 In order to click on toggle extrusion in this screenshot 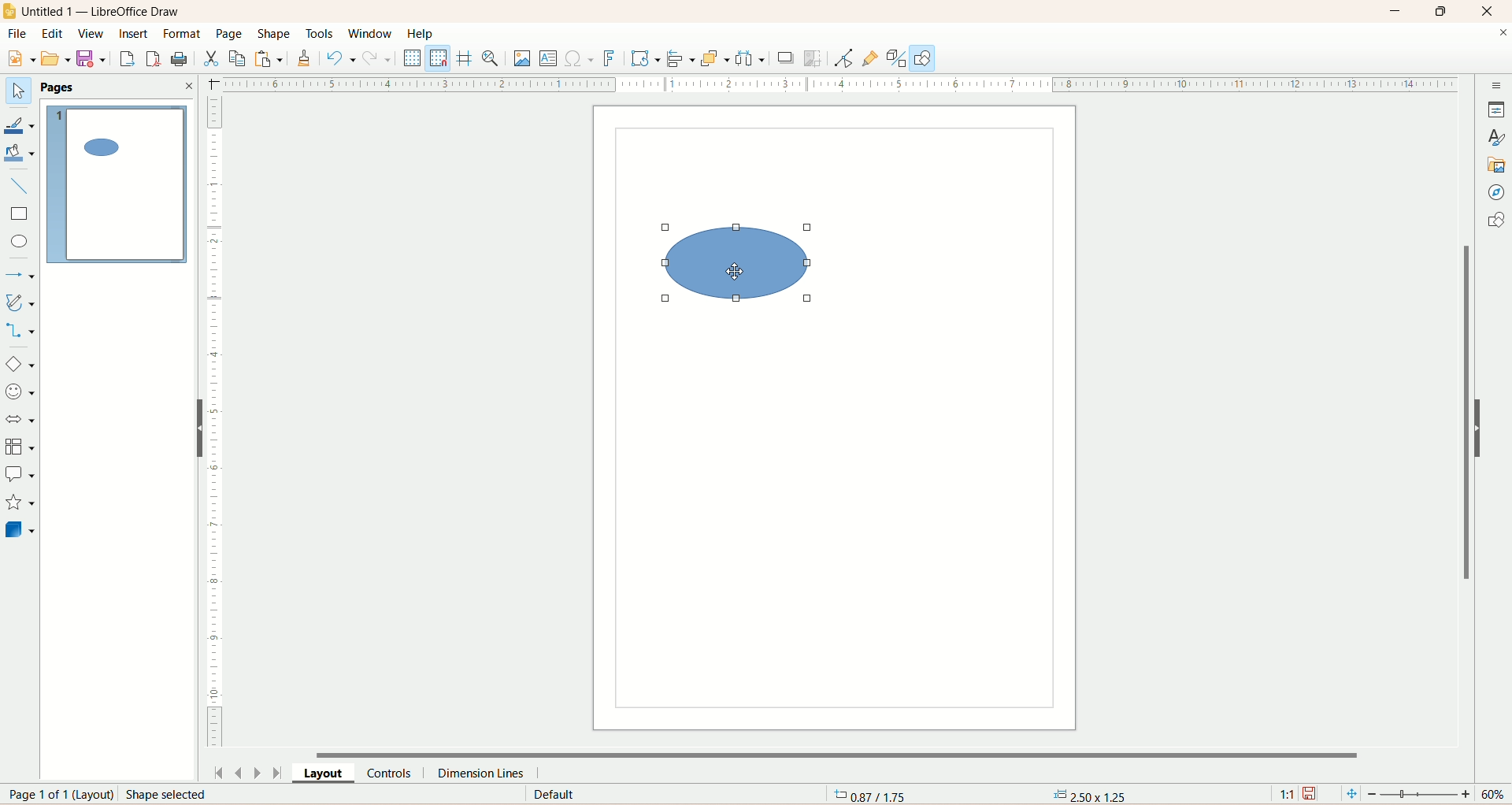, I will do `click(899, 59)`.